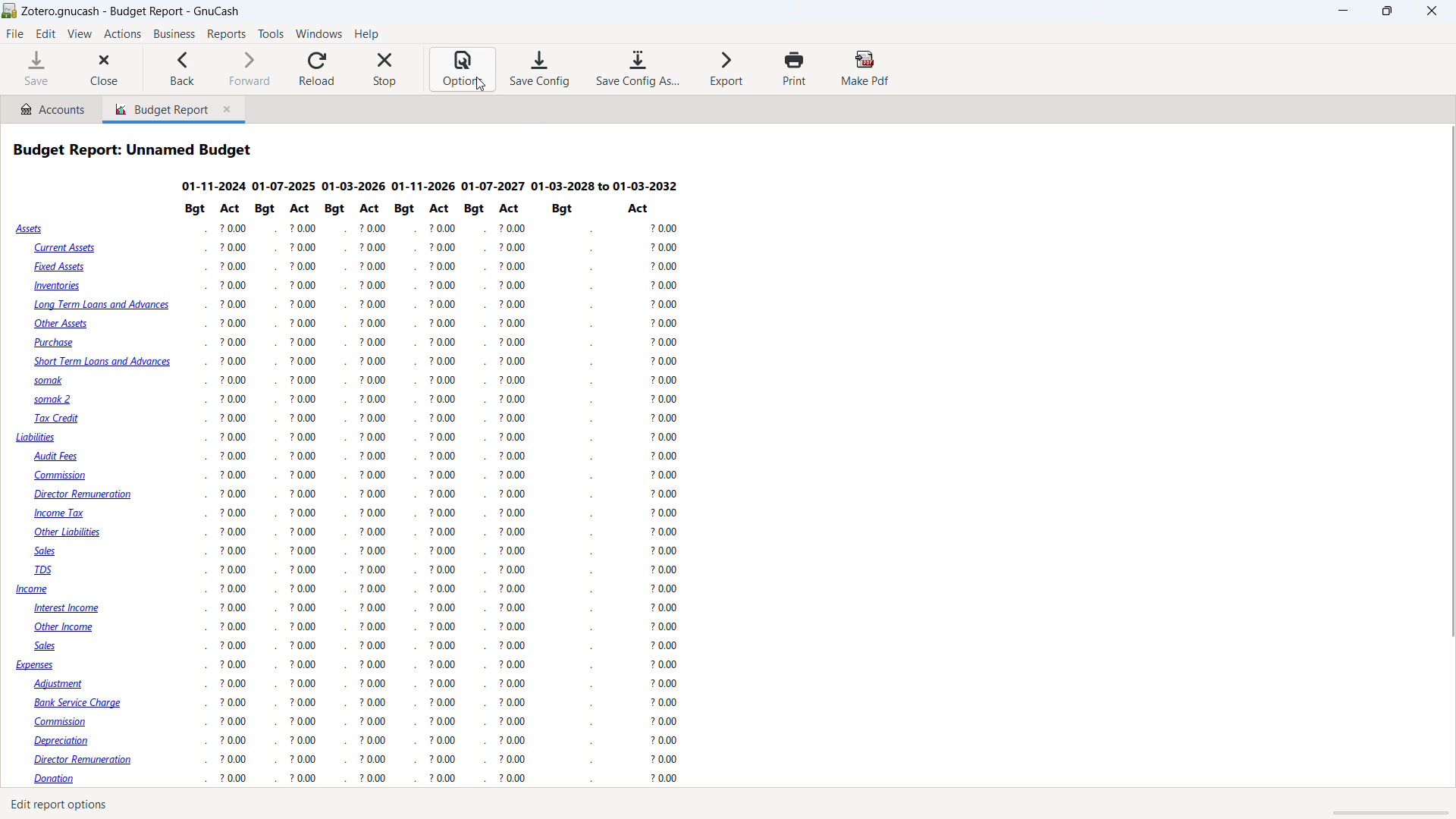 This screenshot has width=1456, height=819. I want to click on Director Remuneration, so click(89, 760).